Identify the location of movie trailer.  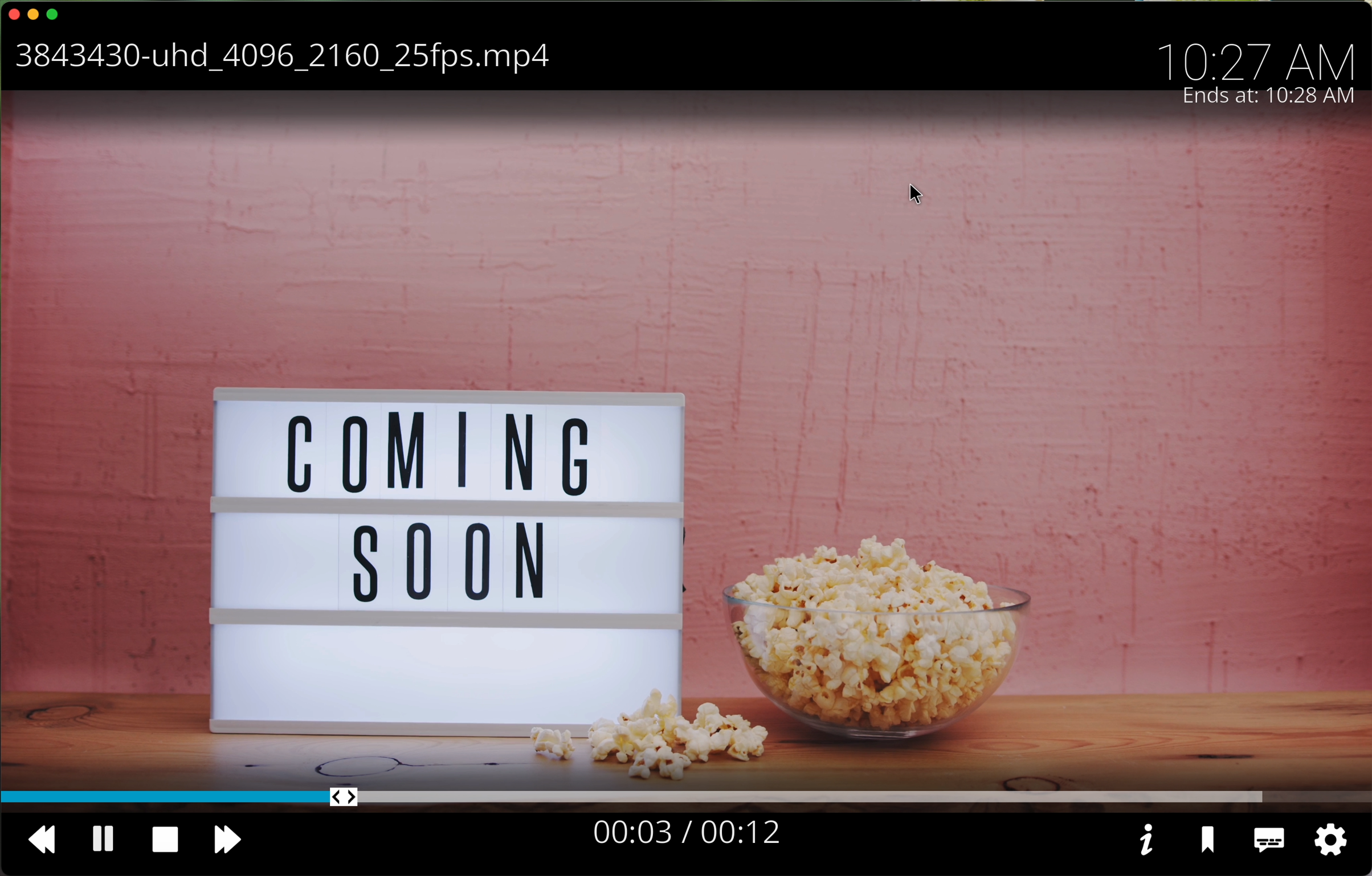
(689, 451).